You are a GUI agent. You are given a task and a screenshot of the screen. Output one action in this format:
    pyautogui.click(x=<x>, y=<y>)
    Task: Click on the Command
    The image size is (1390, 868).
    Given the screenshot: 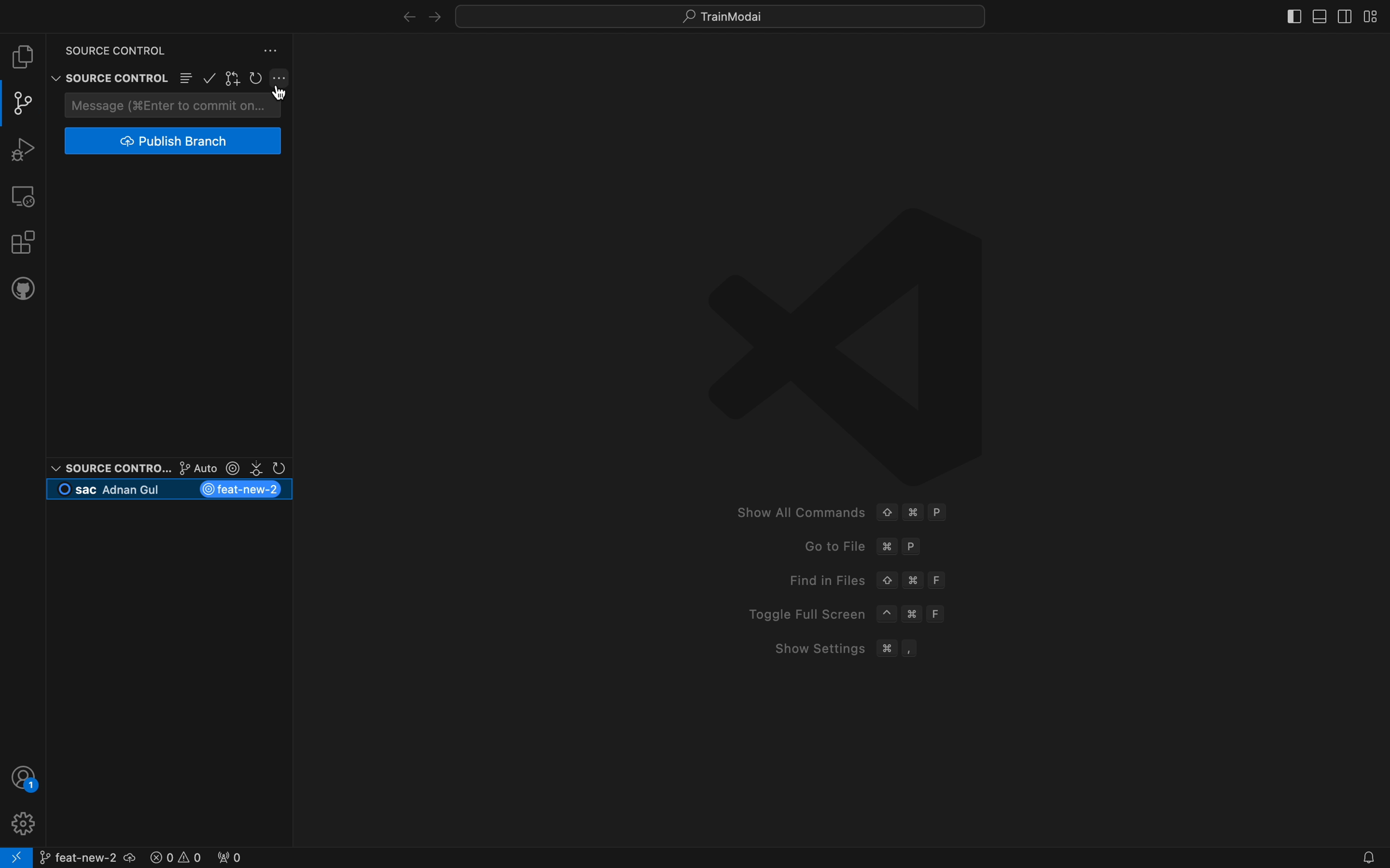 What is the action you would take?
    pyautogui.click(x=913, y=513)
    